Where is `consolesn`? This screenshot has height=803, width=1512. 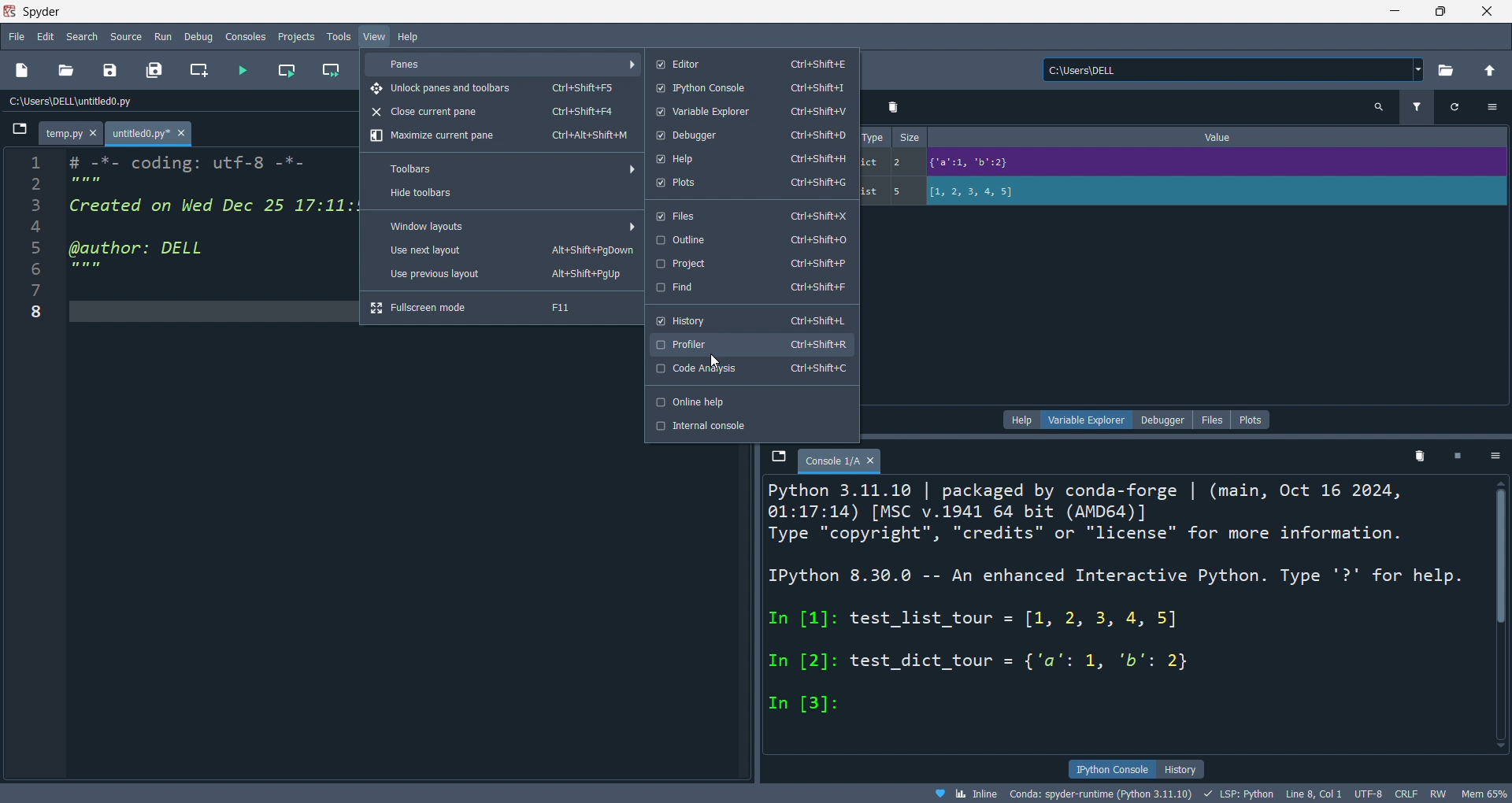
consolesn is located at coordinates (243, 37).